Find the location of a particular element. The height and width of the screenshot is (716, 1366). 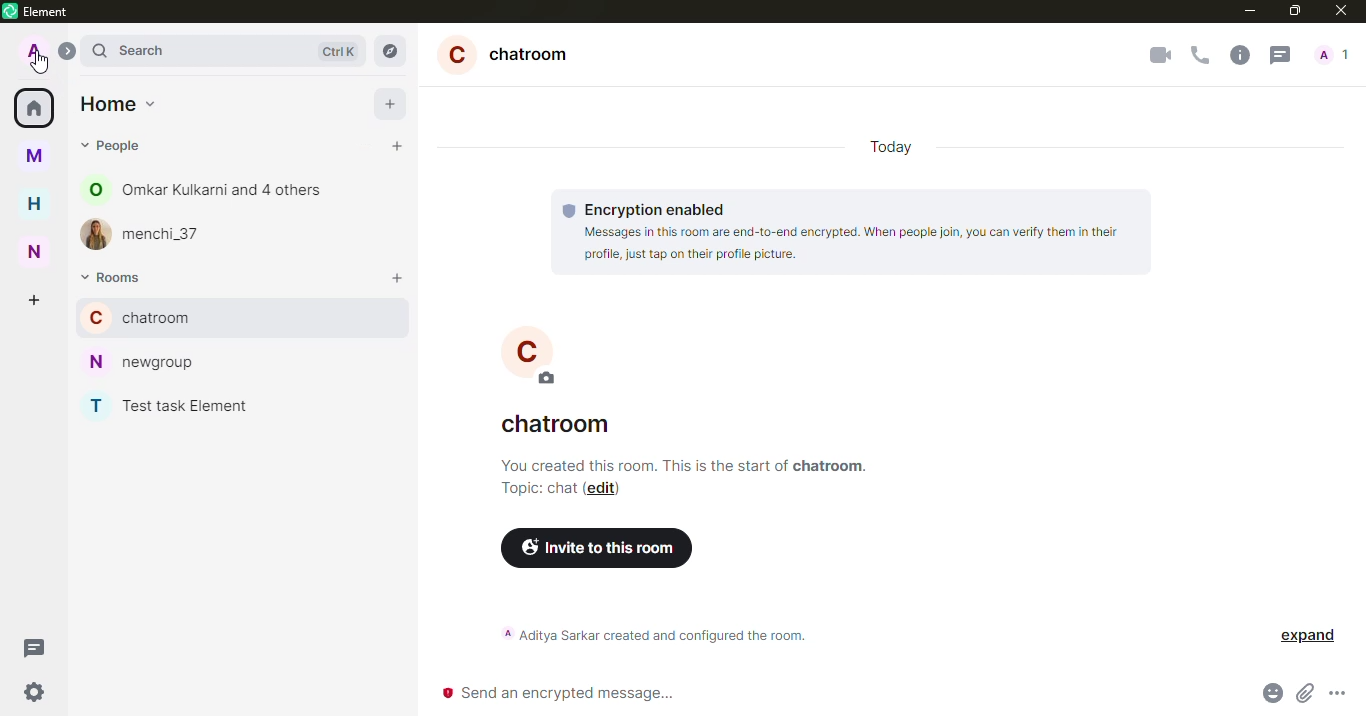

info is located at coordinates (1239, 54).